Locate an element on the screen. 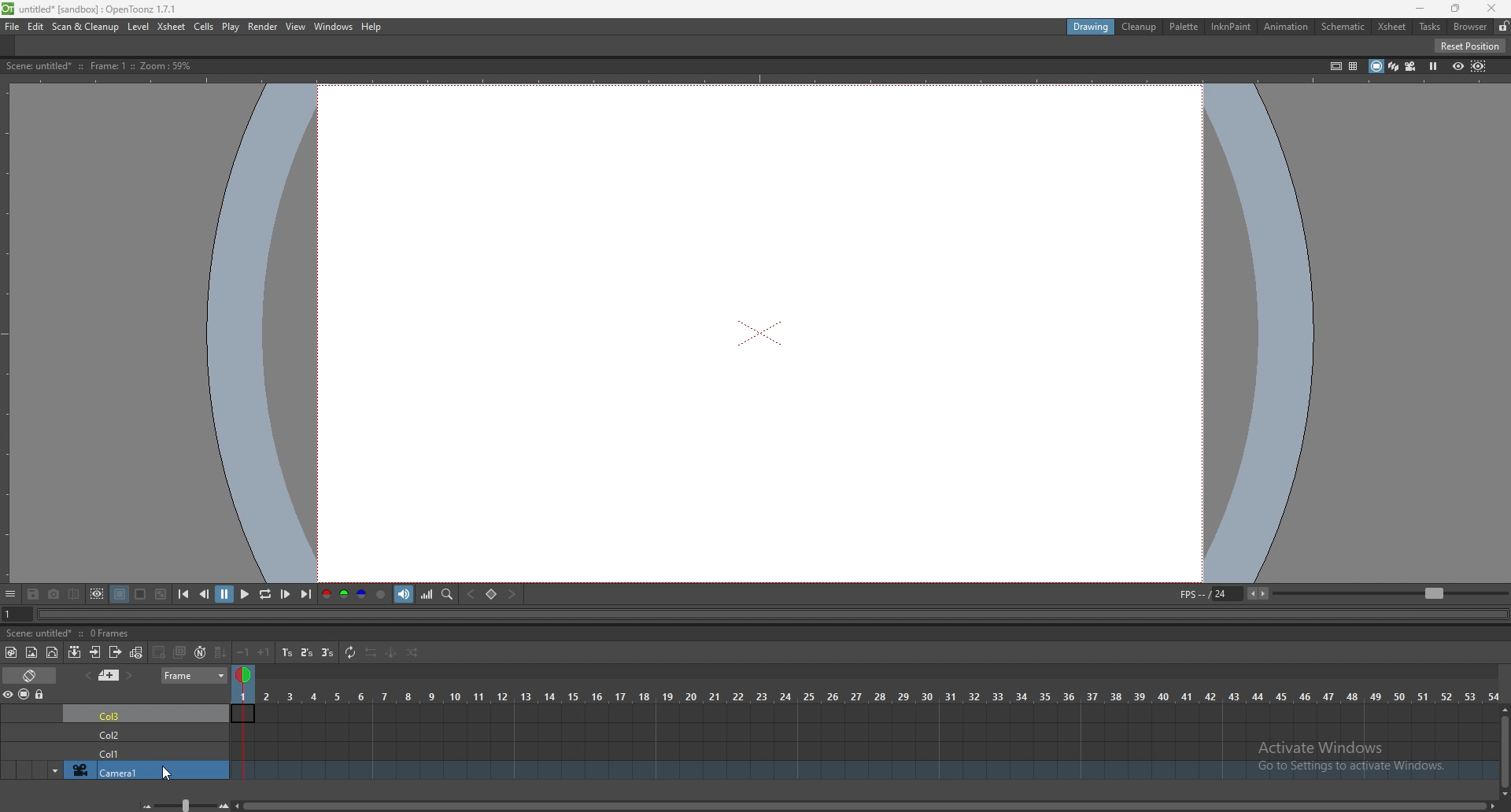 The width and height of the screenshot is (1511, 812). timeline is located at coordinates (864, 731).